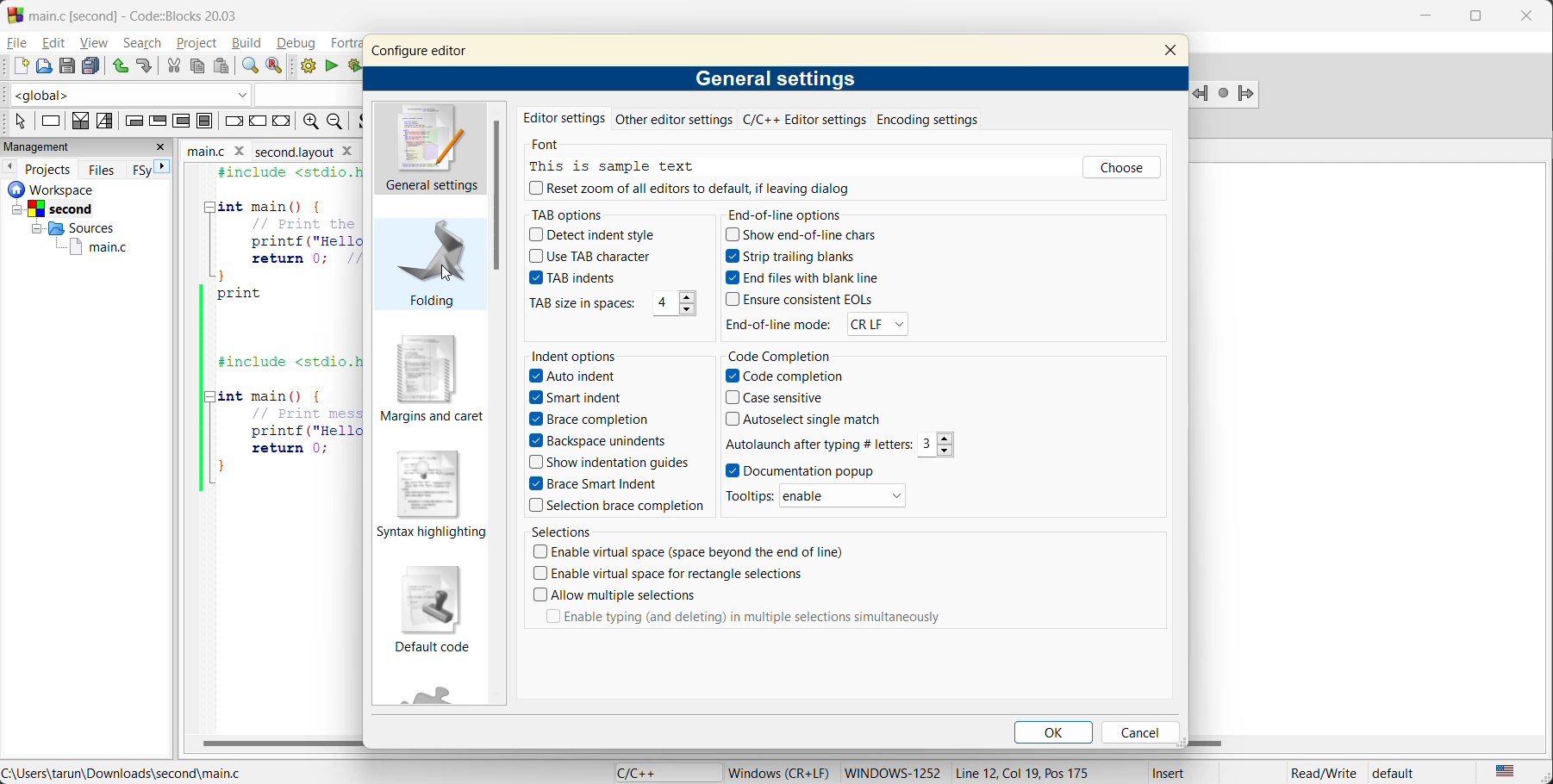 Image resolution: width=1553 pixels, height=784 pixels. What do you see at coordinates (132, 121) in the screenshot?
I see `entry condition loop` at bounding box center [132, 121].